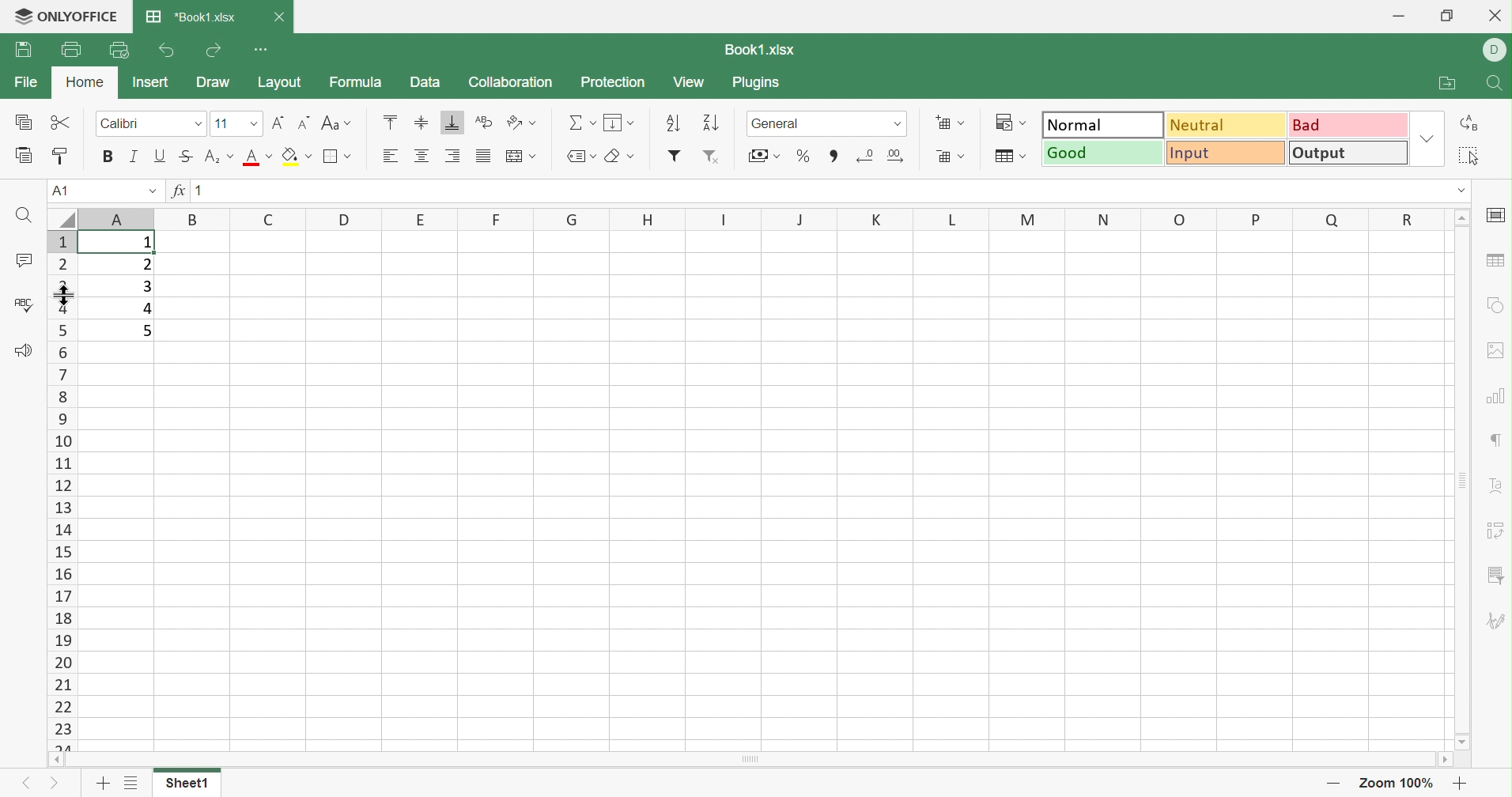 The height and width of the screenshot is (797, 1512). What do you see at coordinates (963, 157) in the screenshot?
I see `Drop Down` at bounding box center [963, 157].